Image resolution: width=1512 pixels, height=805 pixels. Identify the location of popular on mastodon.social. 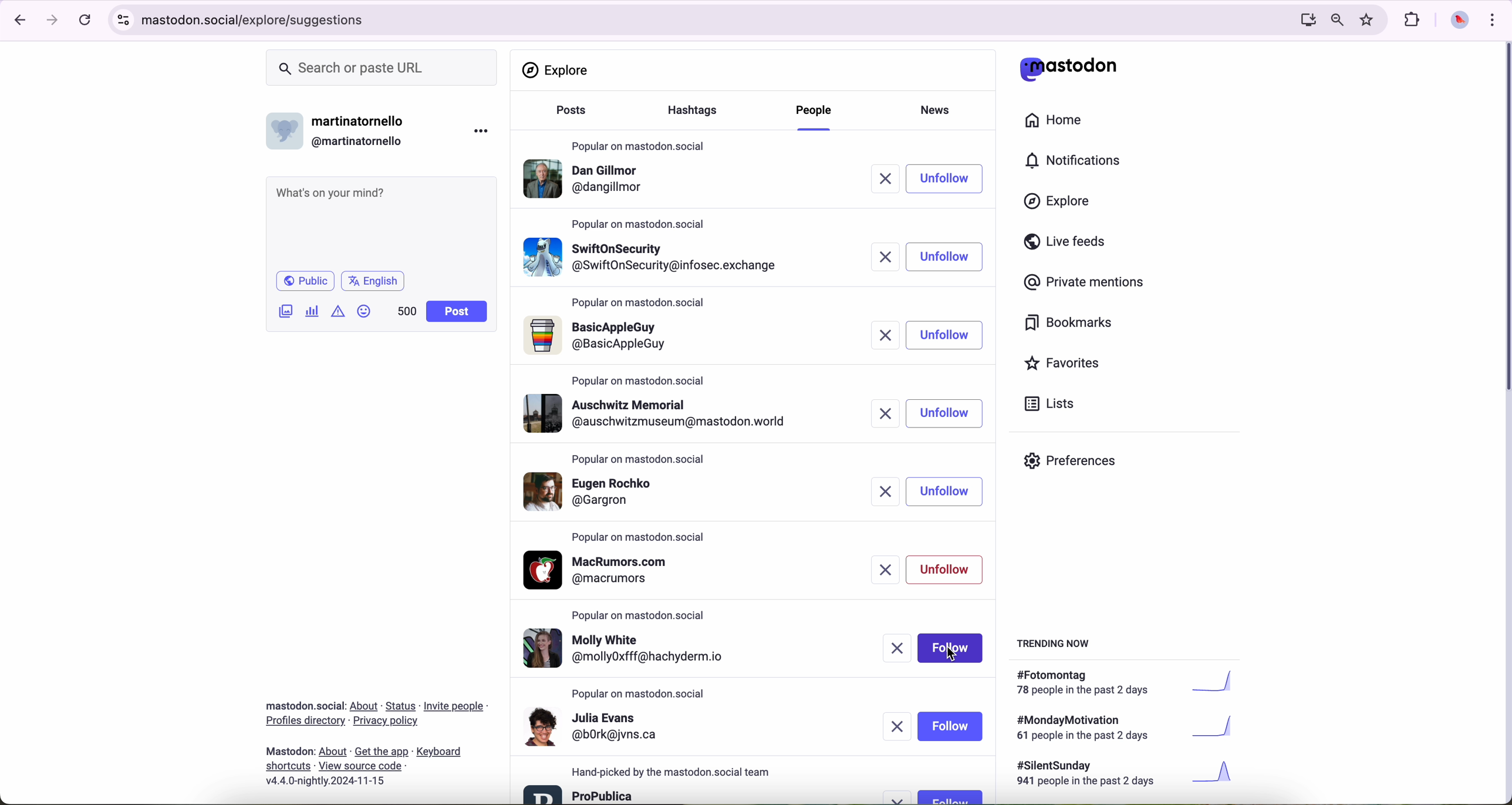
(642, 223).